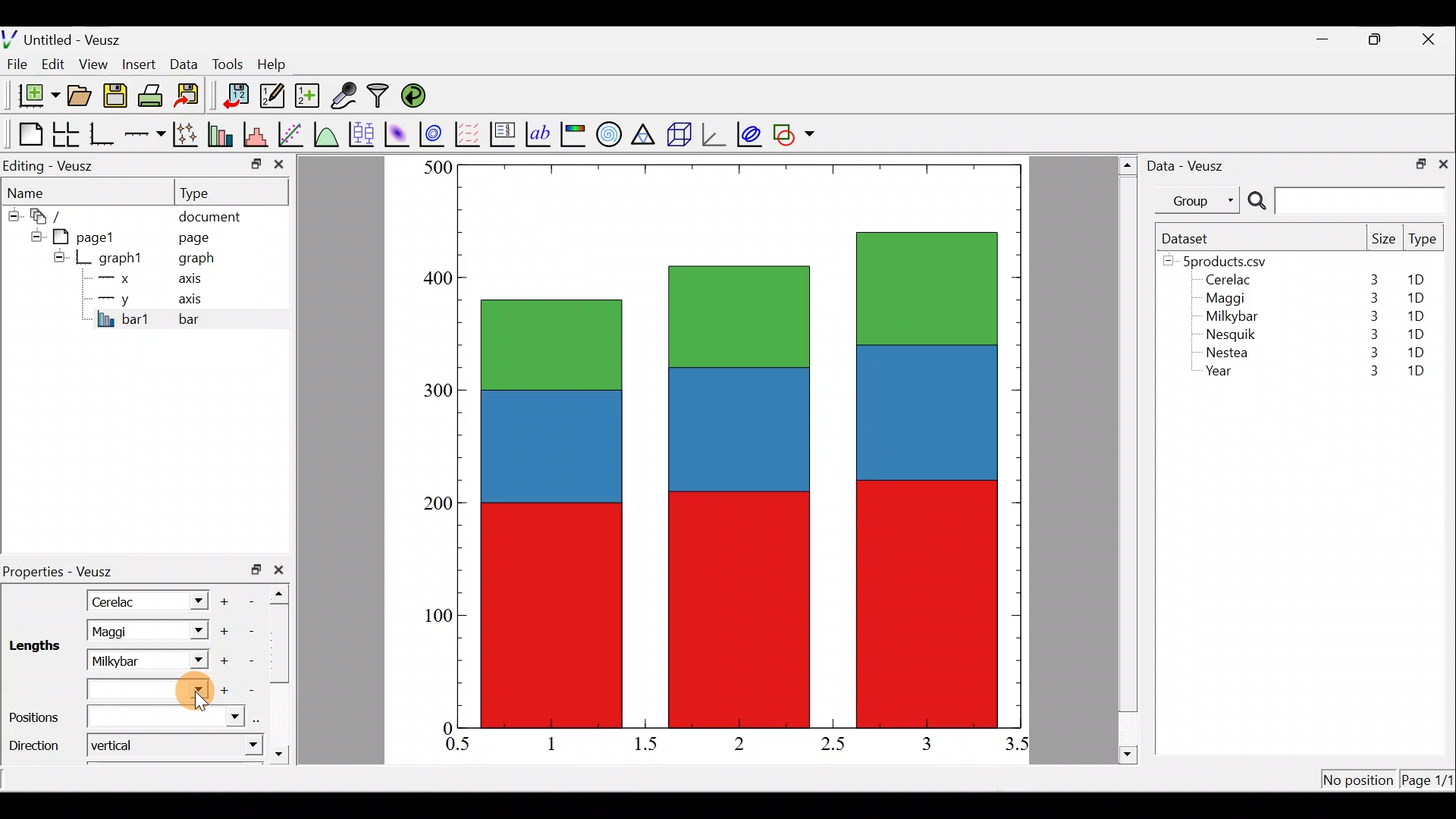 The height and width of the screenshot is (819, 1456). What do you see at coordinates (1415, 298) in the screenshot?
I see `1D` at bounding box center [1415, 298].